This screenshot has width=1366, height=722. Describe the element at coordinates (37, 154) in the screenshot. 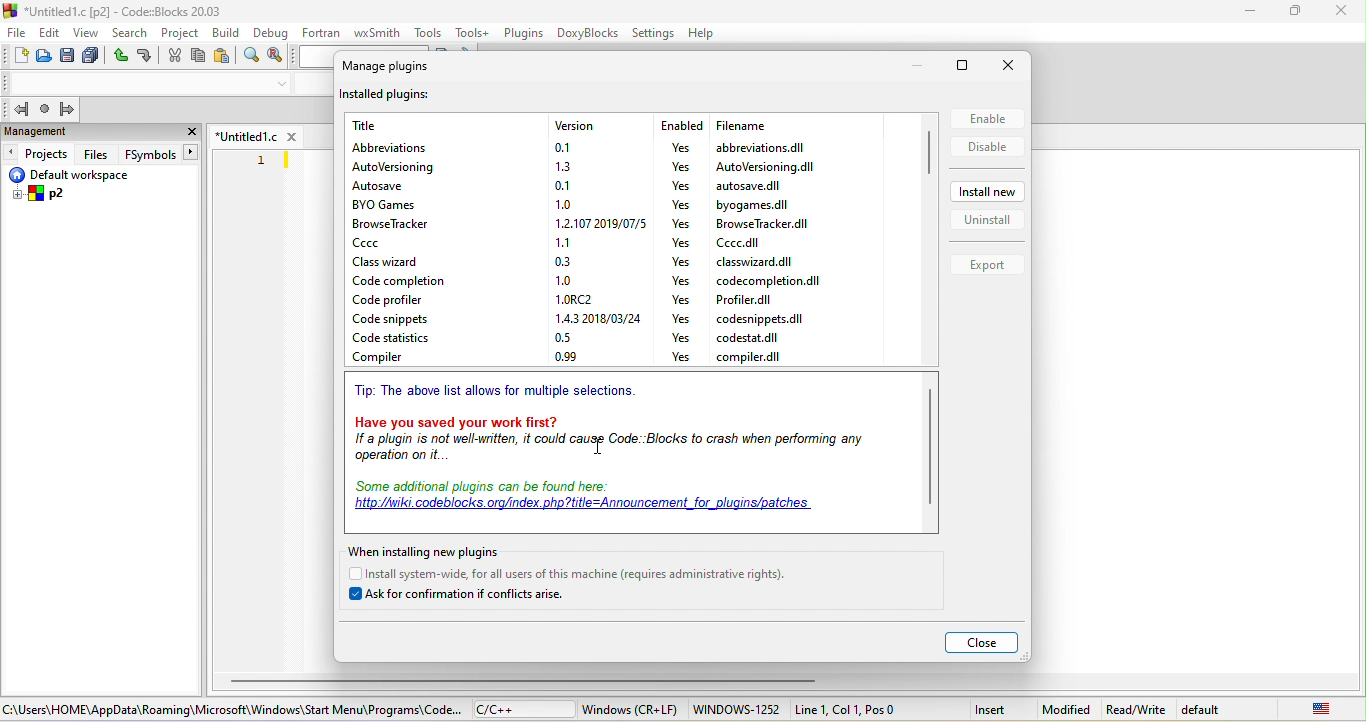

I see `projects` at that location.